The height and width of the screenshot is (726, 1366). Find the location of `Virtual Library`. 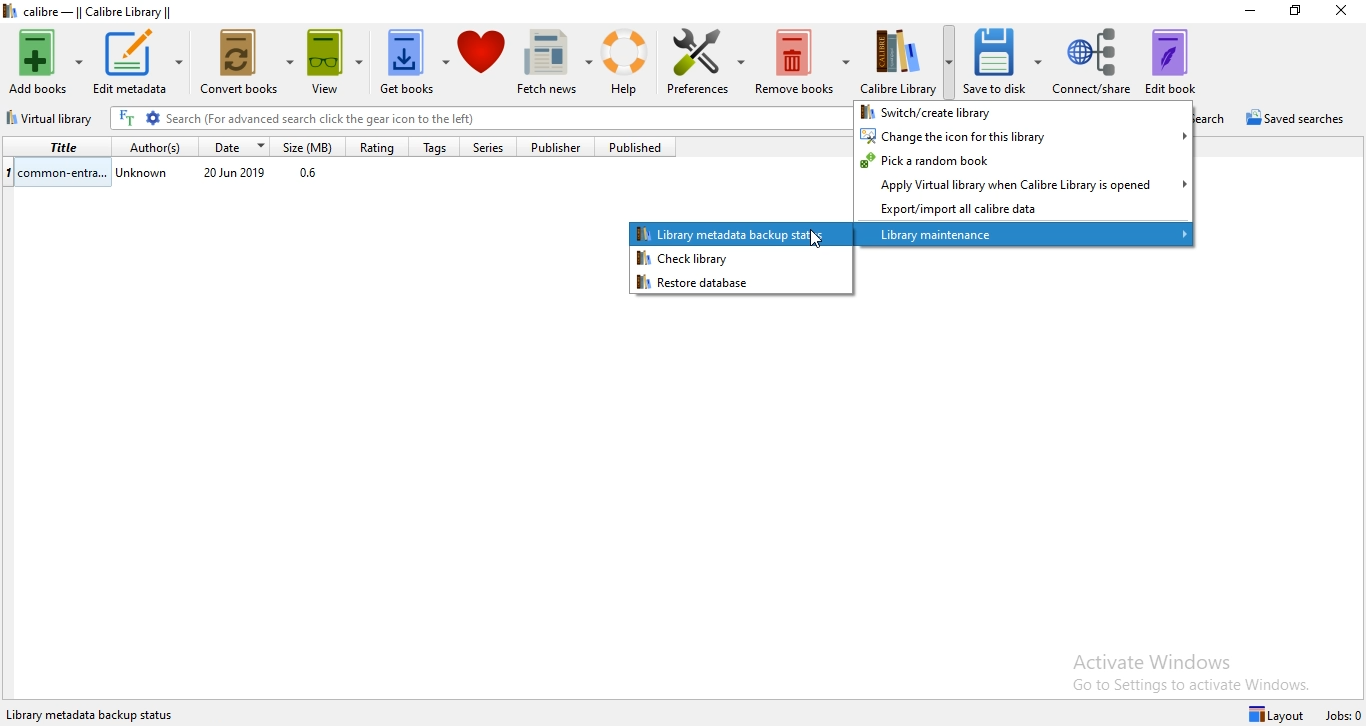

Virtual Library is located at coordinates (53, 120).